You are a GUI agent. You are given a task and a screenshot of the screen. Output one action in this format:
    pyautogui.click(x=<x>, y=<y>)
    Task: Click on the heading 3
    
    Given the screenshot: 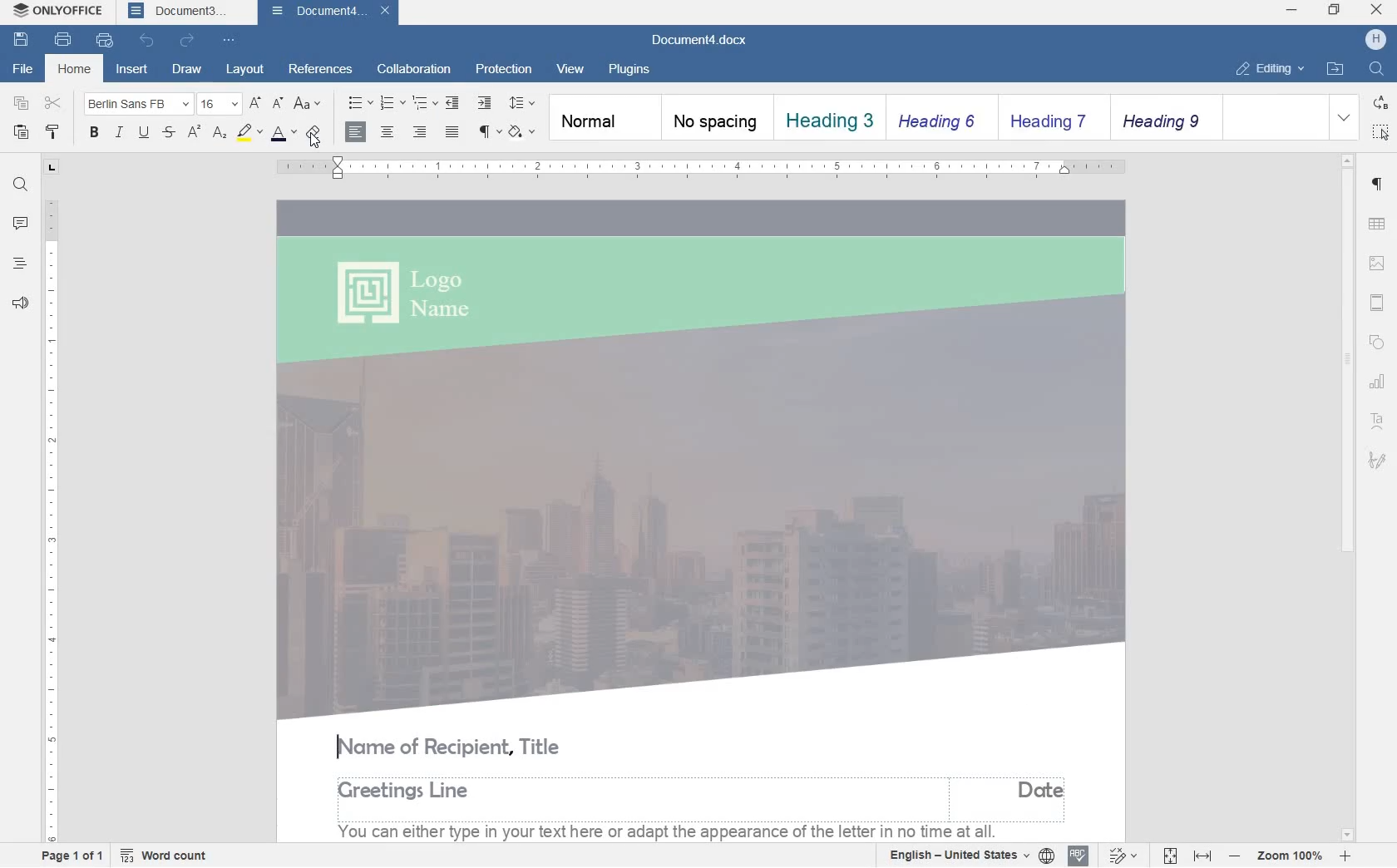 What is the action you would take?
    pyautogui.click(x=1051, y=116)
    